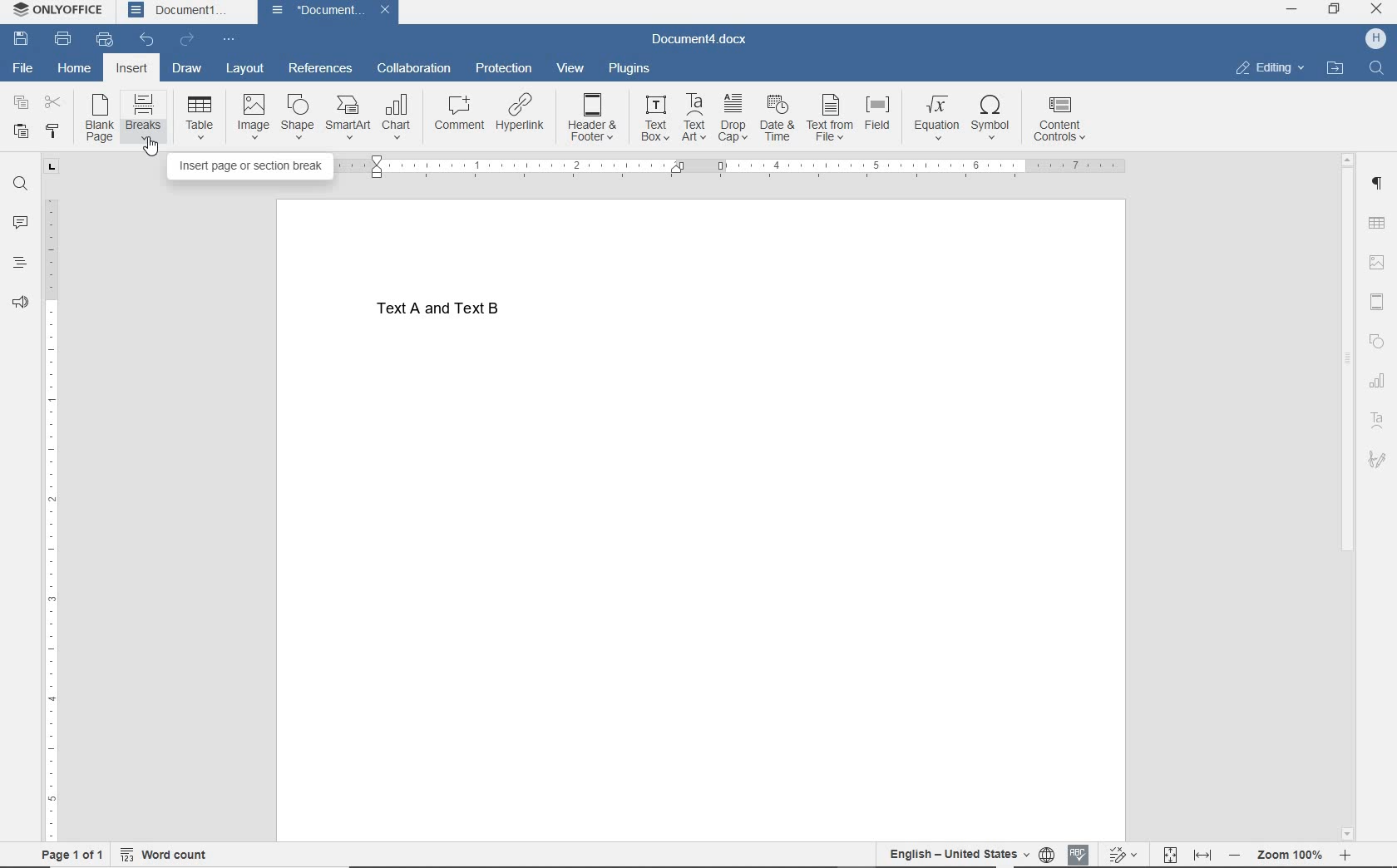 The width and height of the screenshot is (1397, 868). I want to click on SHAPE, so click(1377, 341).